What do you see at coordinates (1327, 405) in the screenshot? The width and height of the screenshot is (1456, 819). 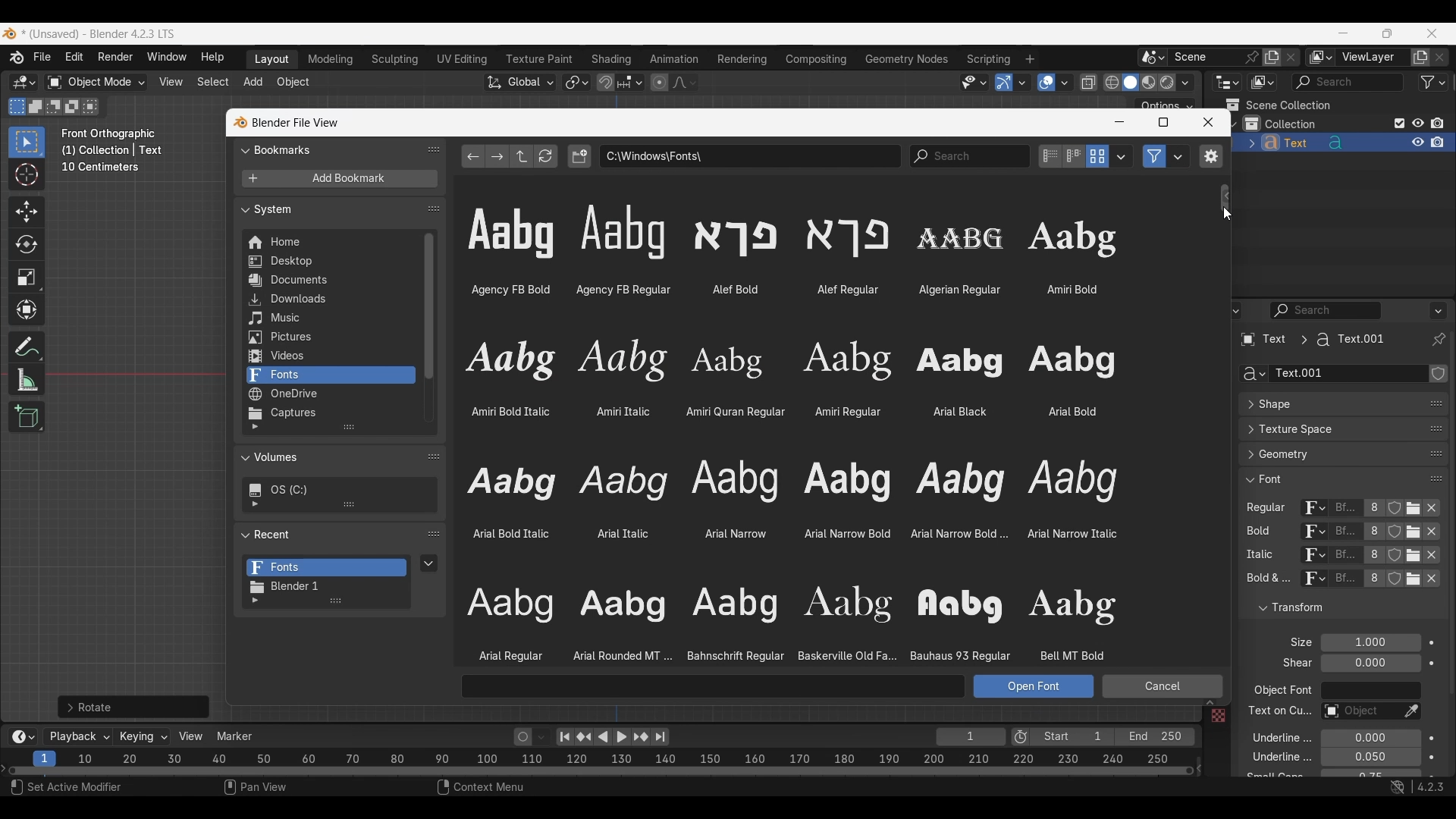 I see `Click to expand Shape` at bounding box center [1327, 405].